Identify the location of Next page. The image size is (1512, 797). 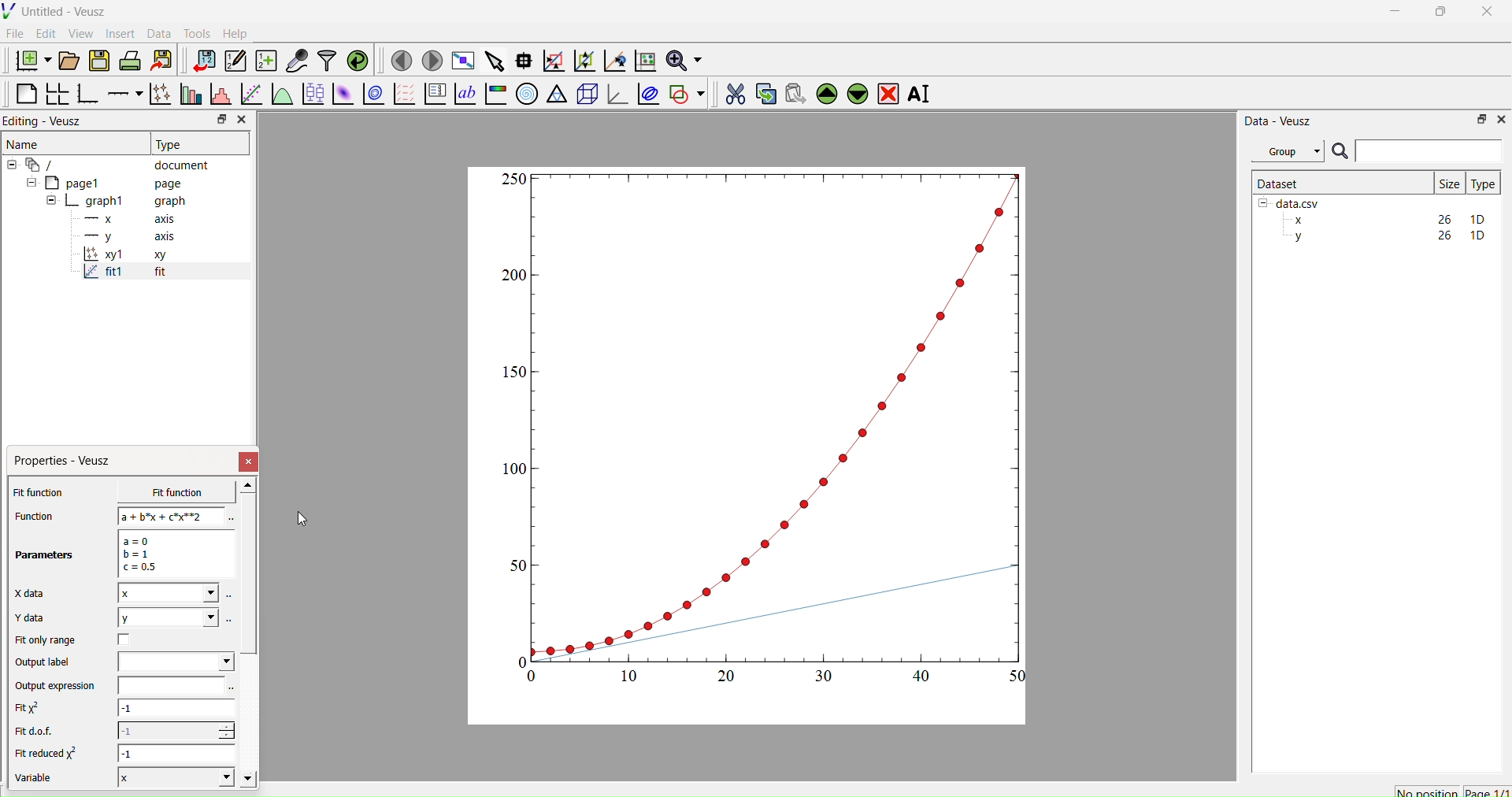
(428, 61).